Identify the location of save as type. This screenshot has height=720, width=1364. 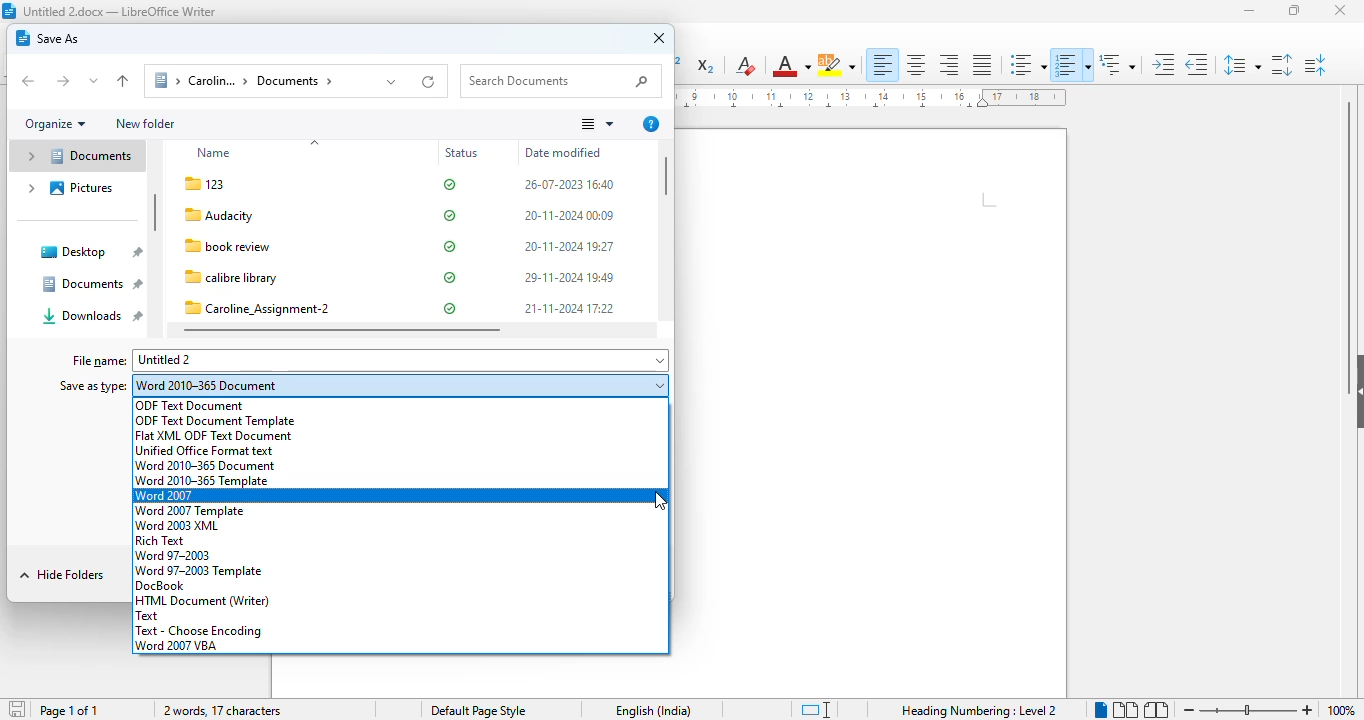
(91, 385).